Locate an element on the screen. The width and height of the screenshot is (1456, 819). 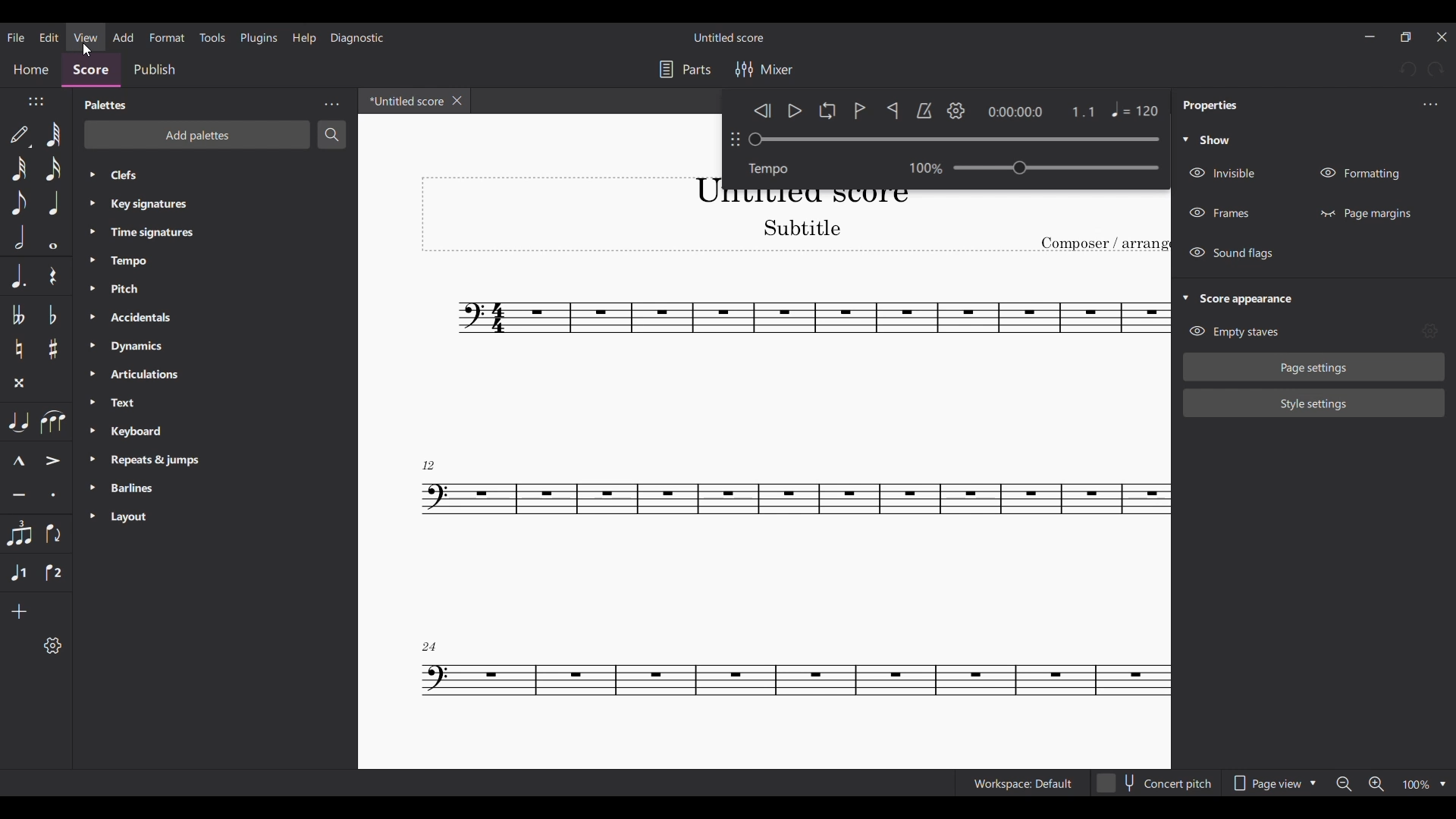
Customize notes toolbar is located at coordinates (52, 645).